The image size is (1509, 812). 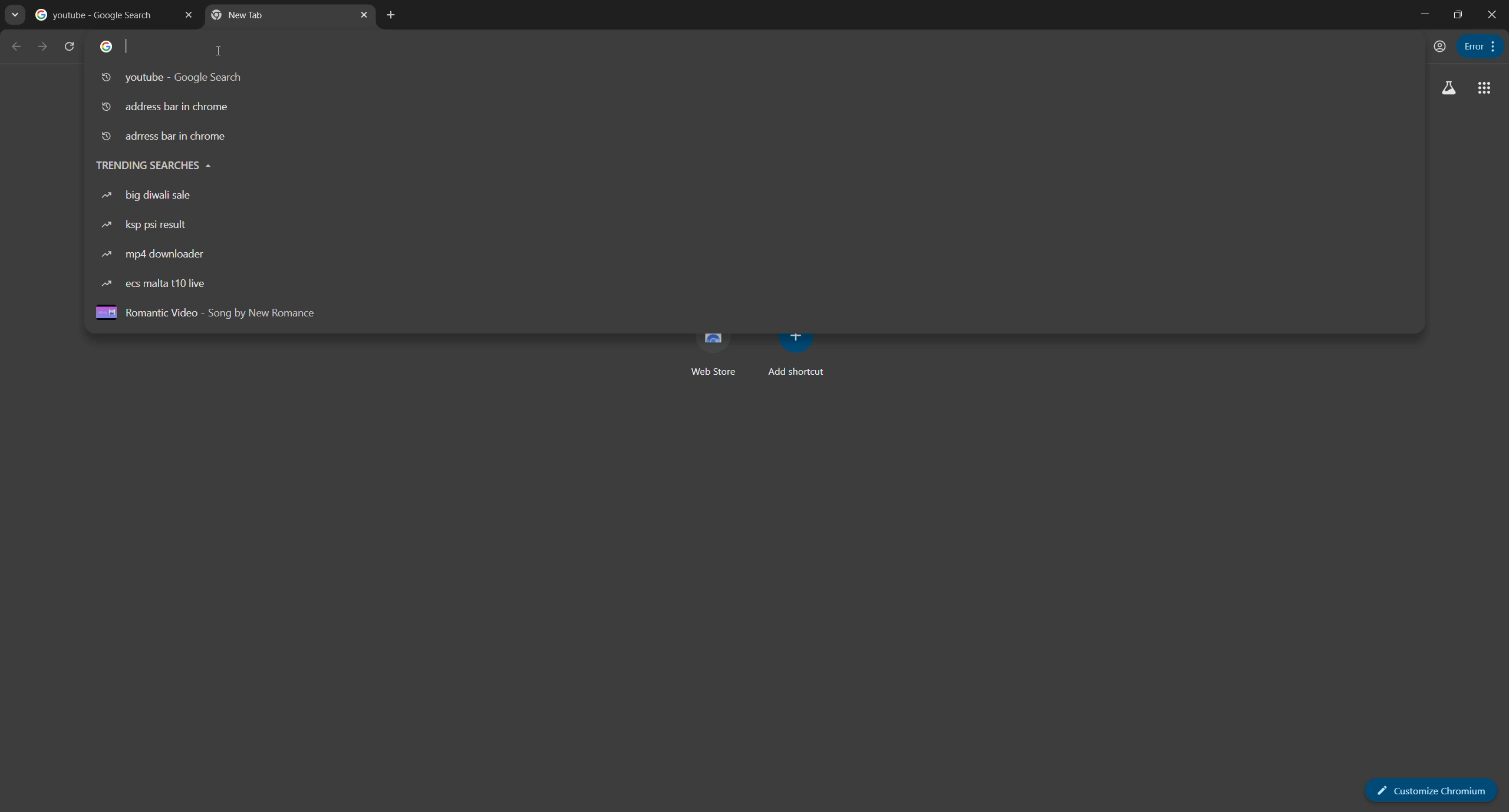 I want to click on add shortcut, so click(x=793, y=358).